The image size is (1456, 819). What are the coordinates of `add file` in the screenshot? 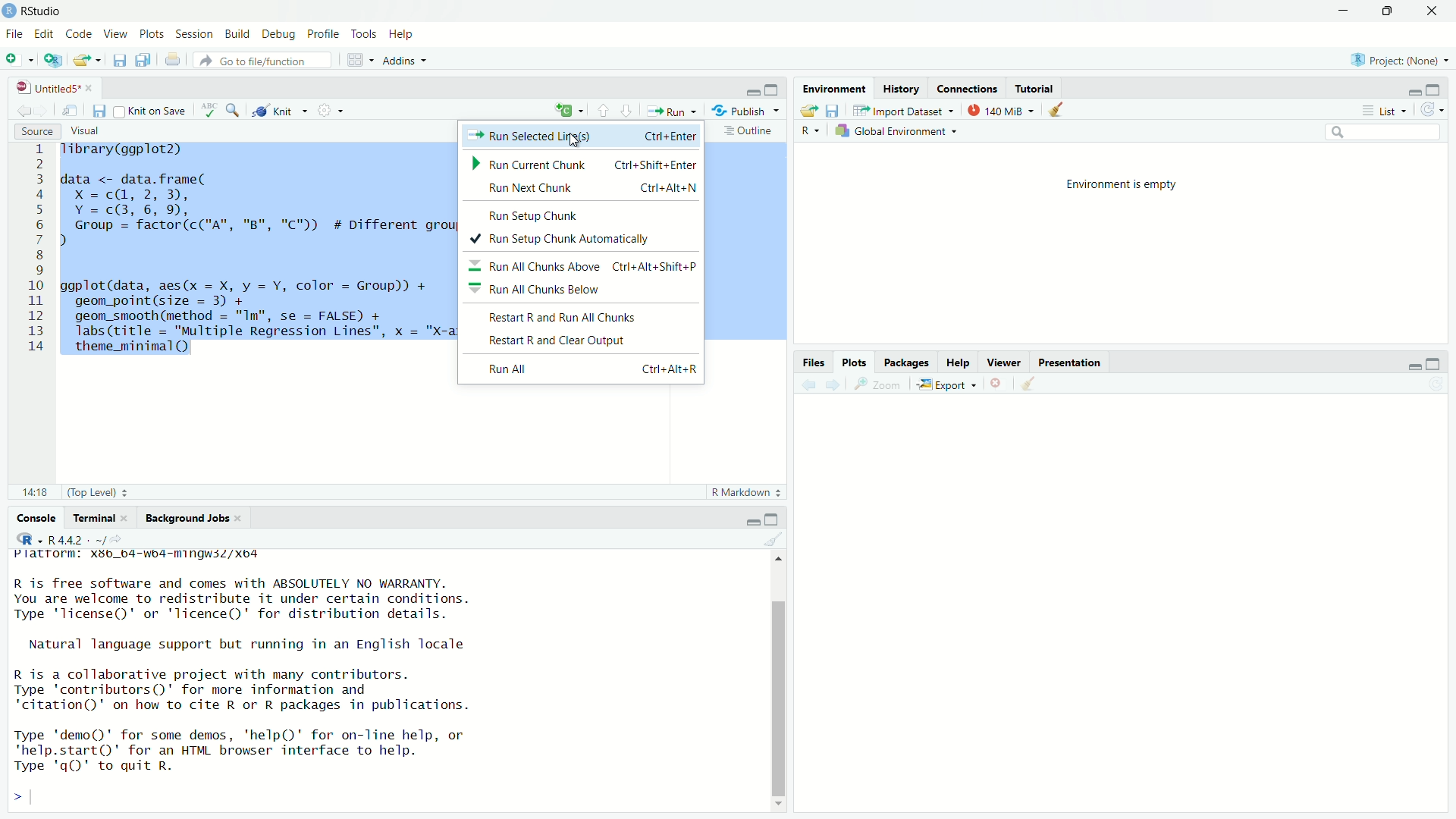 It's located at (21, 59).